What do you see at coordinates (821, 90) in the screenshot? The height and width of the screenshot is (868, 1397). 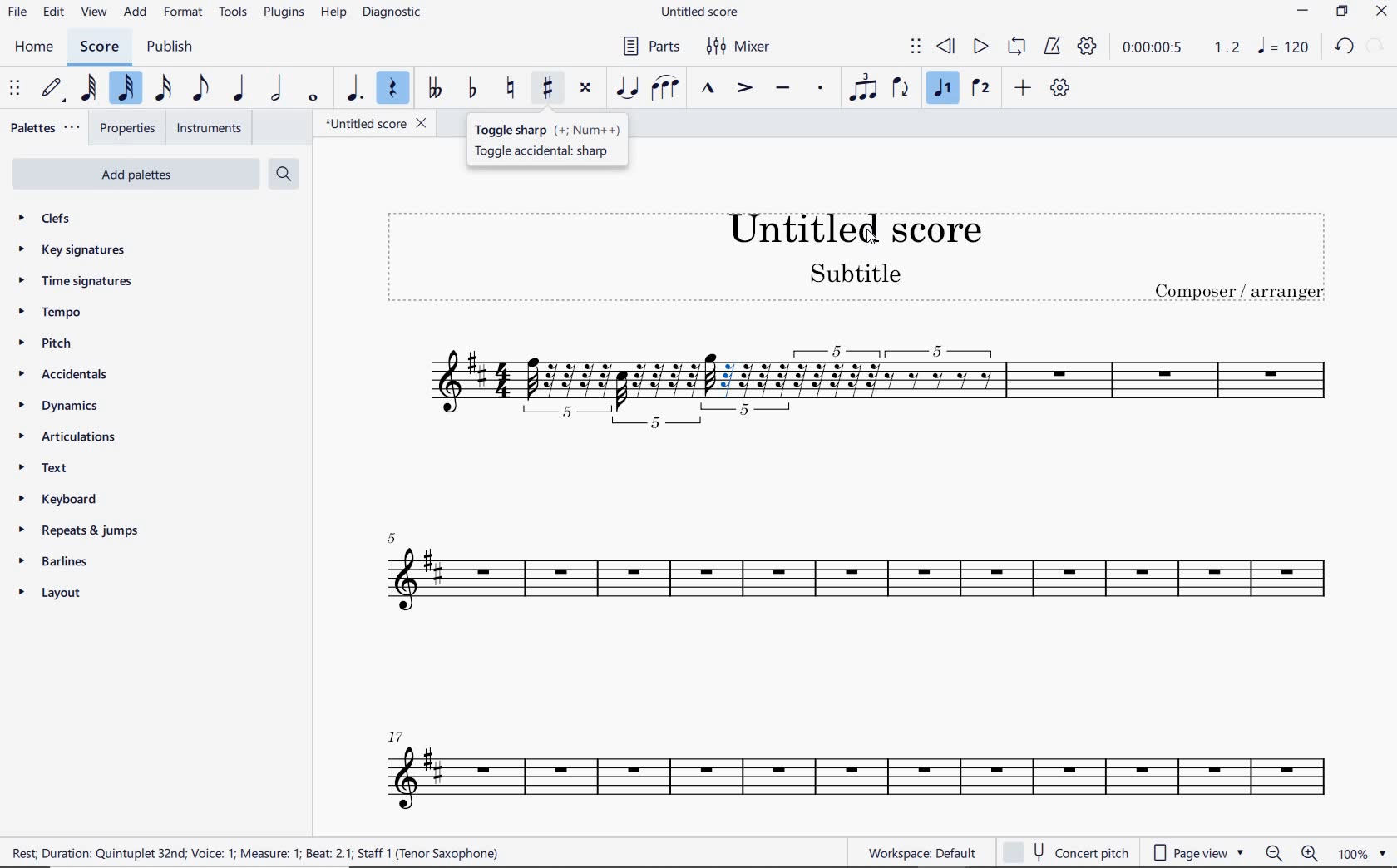 I see `STACCATO` at bounding box center [821, 90].